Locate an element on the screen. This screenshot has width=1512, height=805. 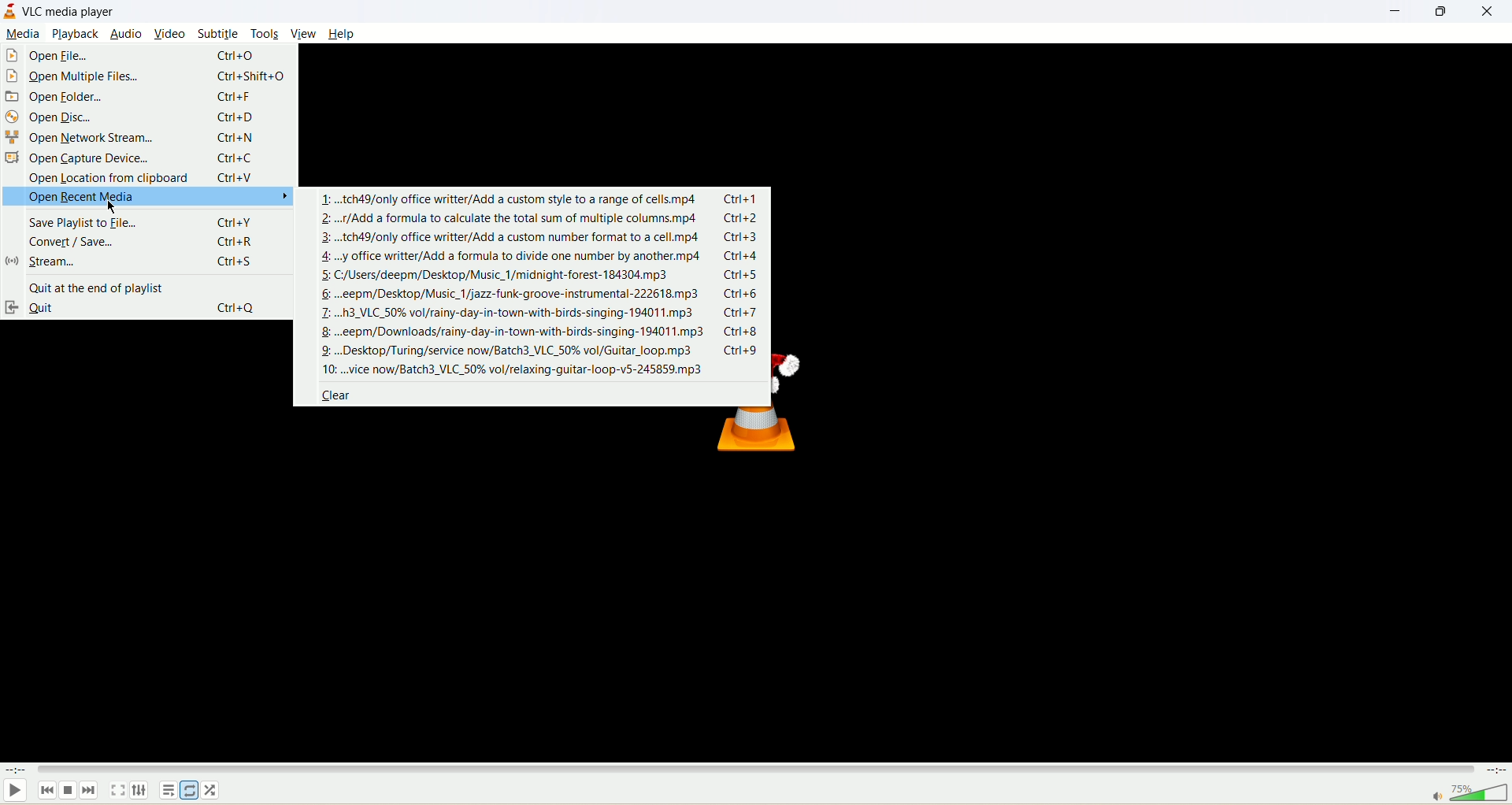
stop is located at coordinates (66, 792).